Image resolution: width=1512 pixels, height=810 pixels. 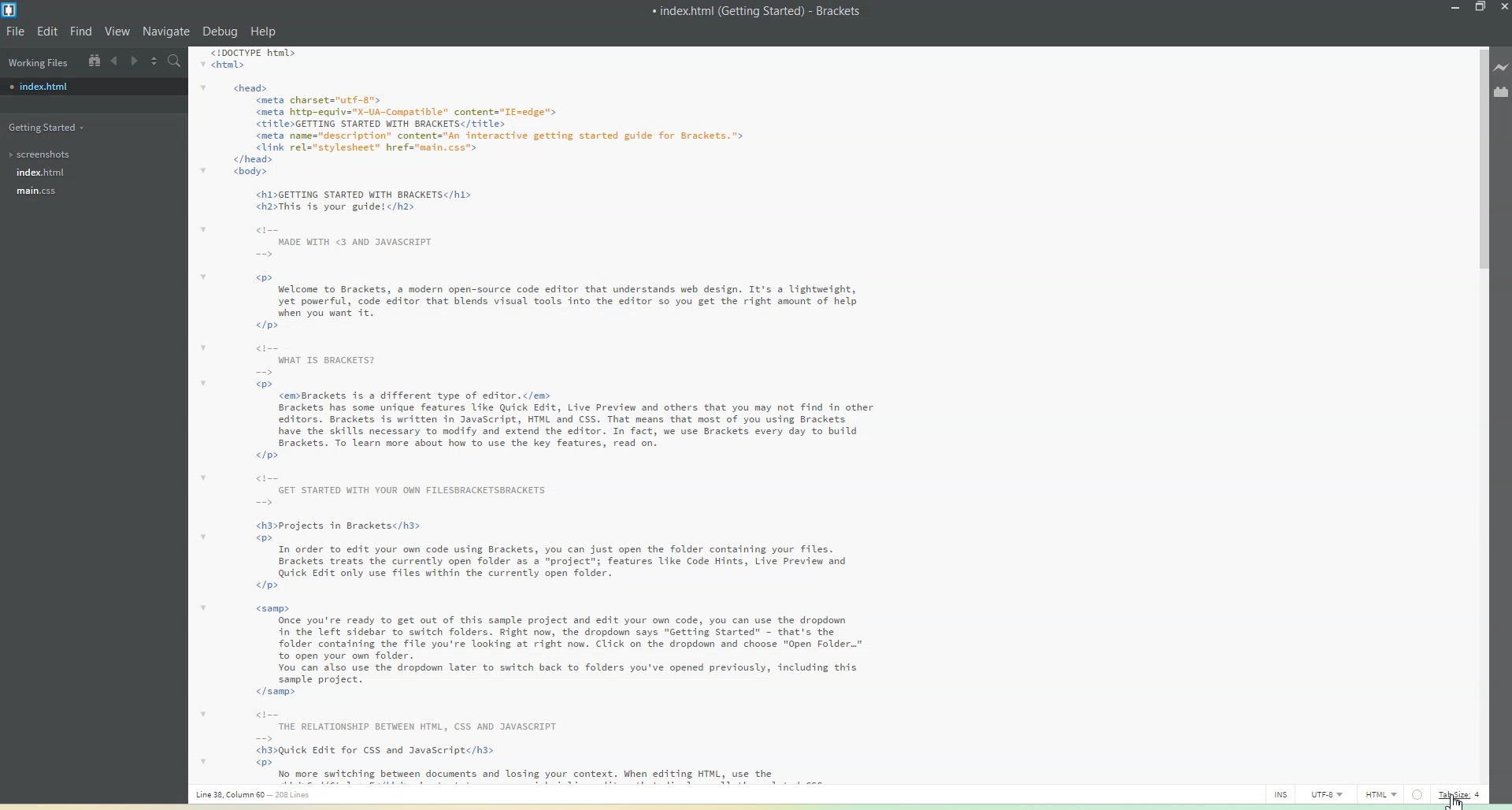 I want to click on Edit, so click(x=46, y=32).